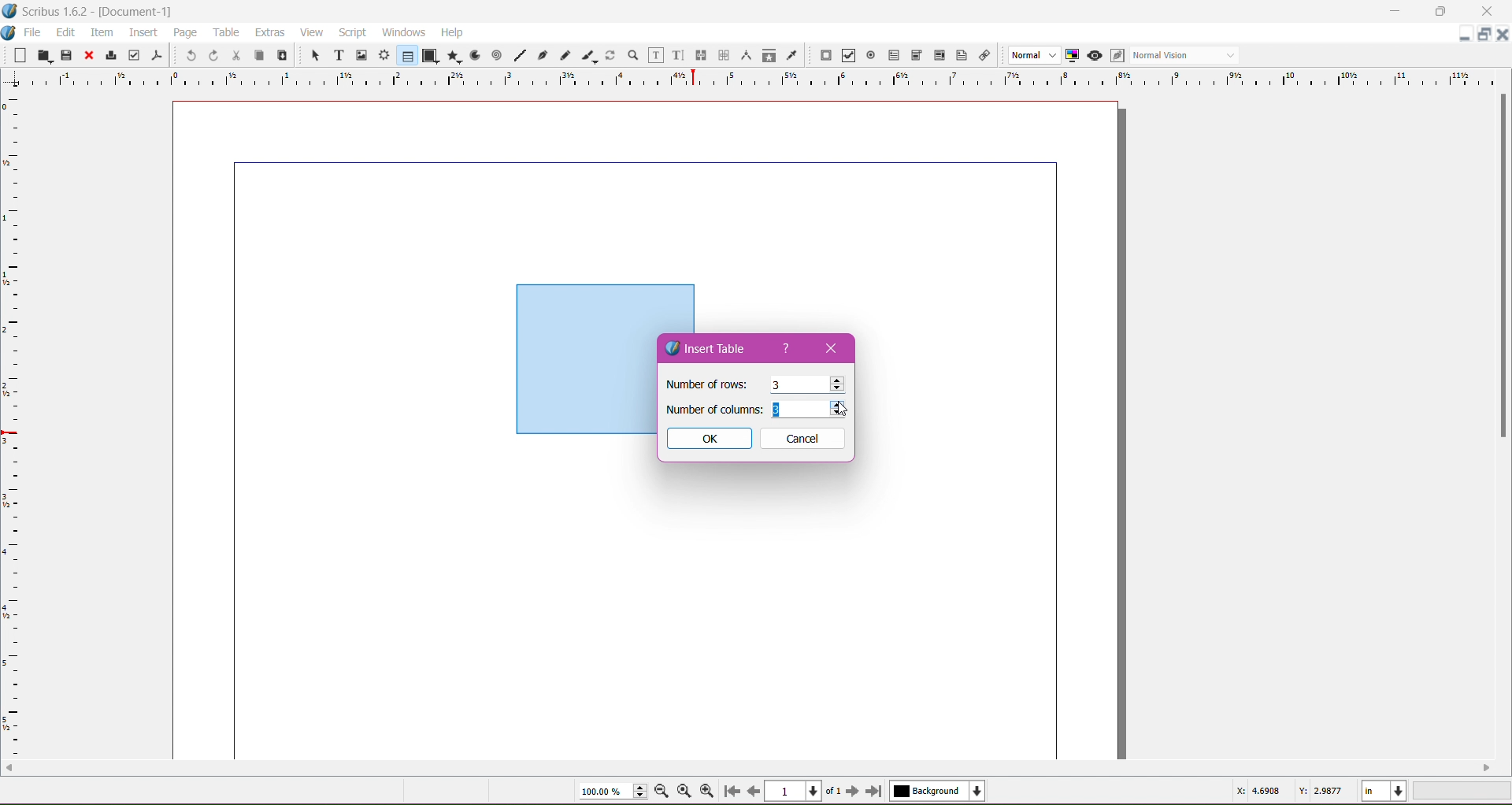  I want to click on Calligraphic Line, so click(588, 54).